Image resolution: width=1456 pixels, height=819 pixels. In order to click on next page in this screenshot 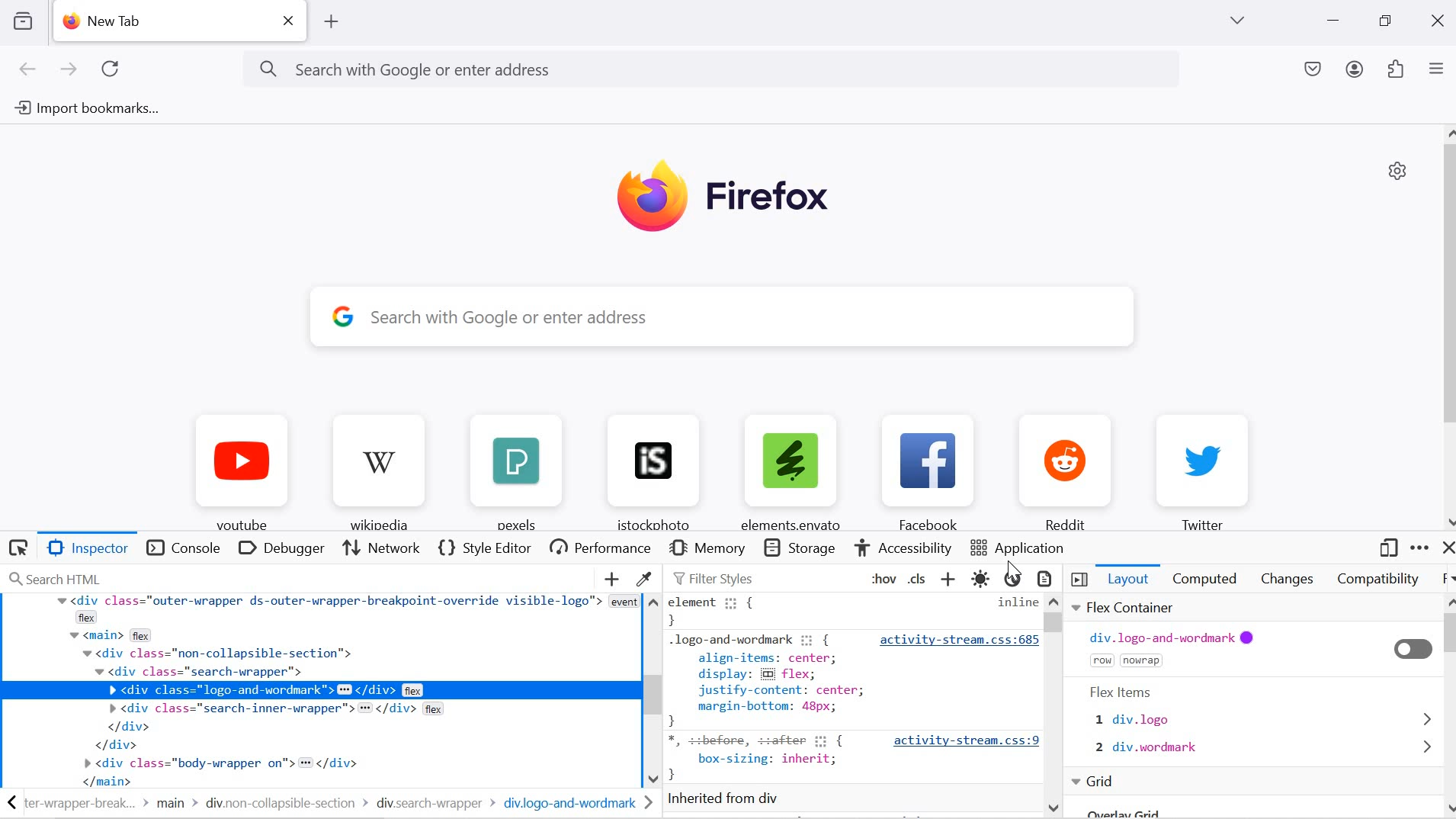, I will do `click(69, 71)`.